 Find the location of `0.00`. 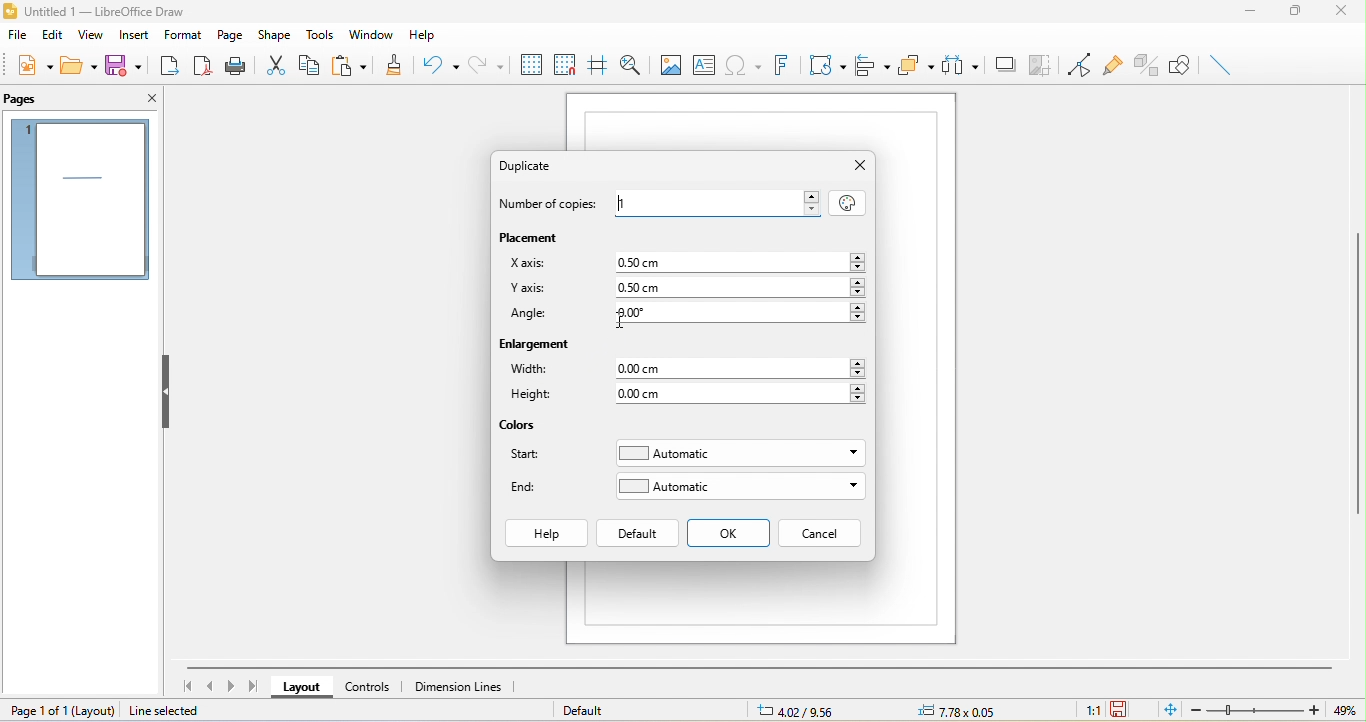

0.00 is located at coordinates (736, 313).